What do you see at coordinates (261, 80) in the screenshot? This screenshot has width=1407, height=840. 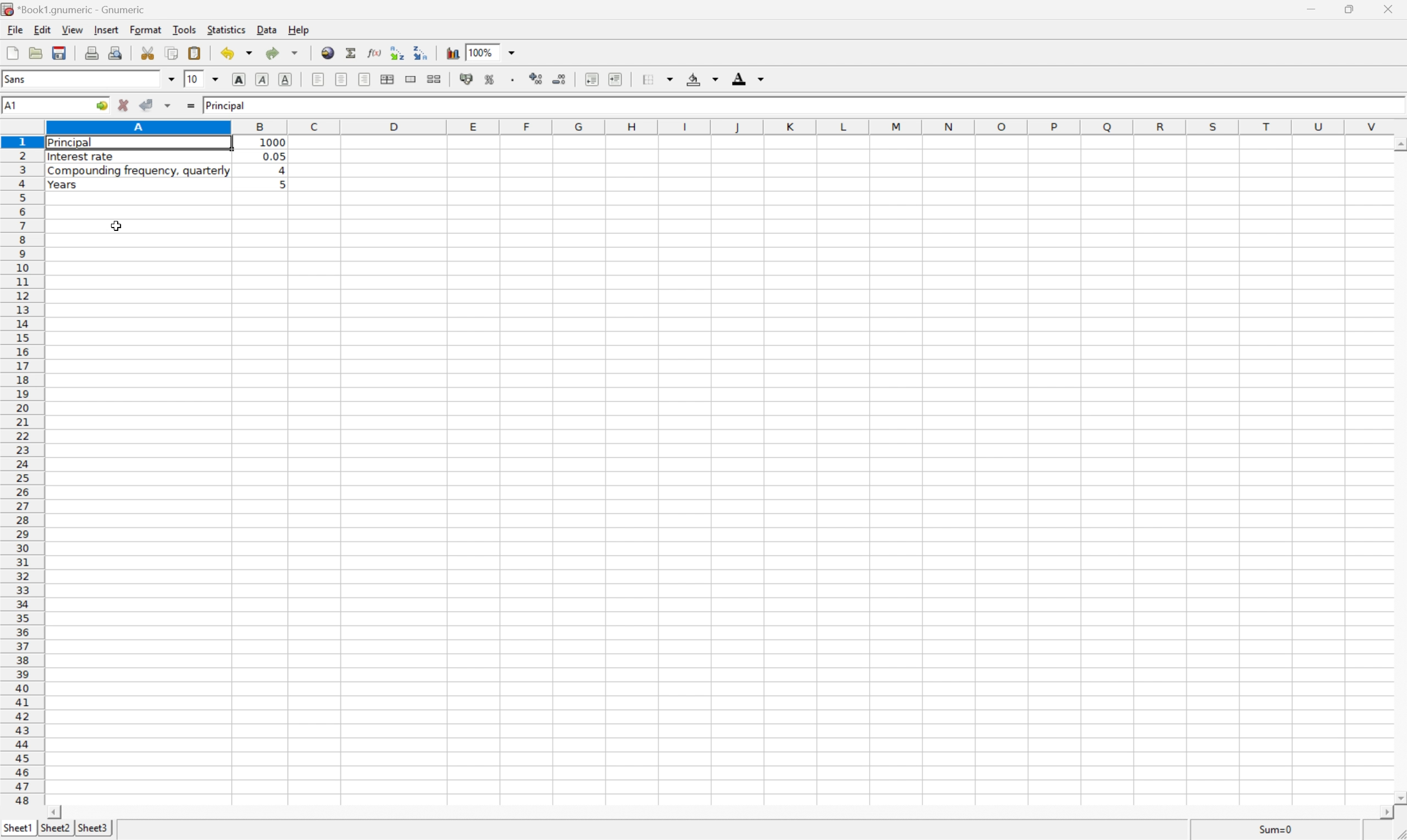 I see `italic` at bounding box center [261, 80].